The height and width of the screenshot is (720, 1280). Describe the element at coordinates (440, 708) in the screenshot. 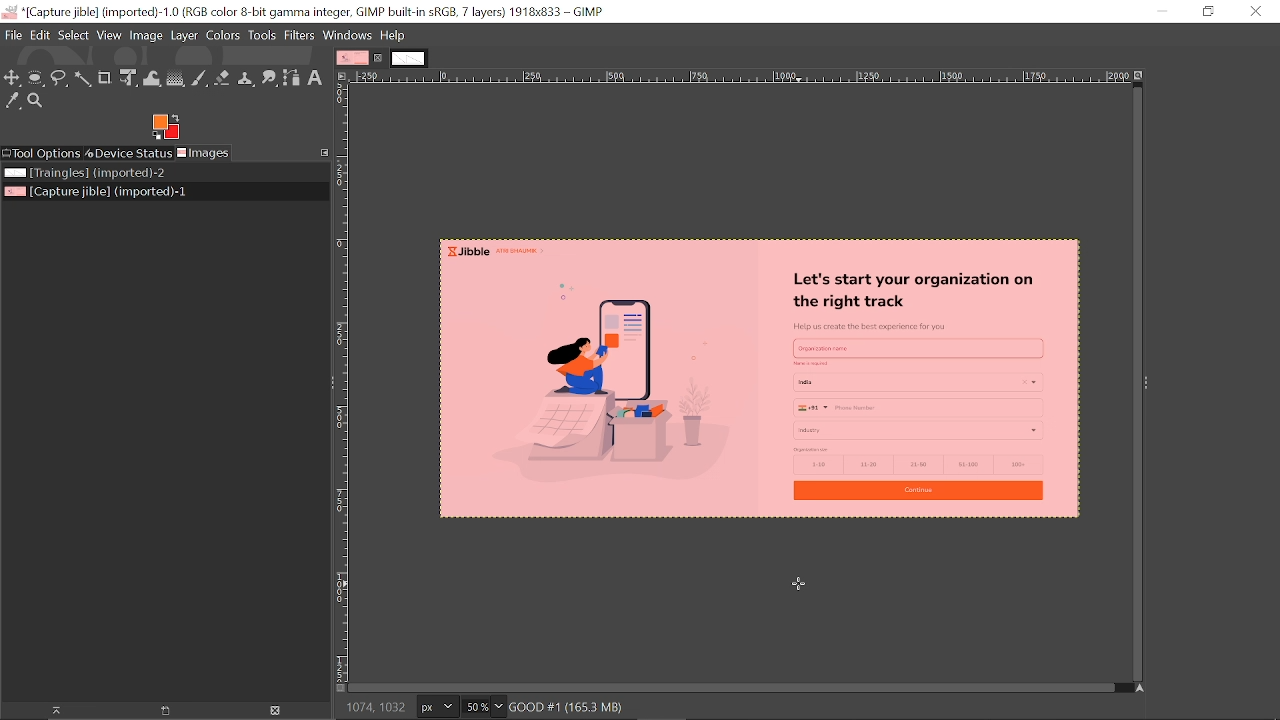

I see `Current image format` at that location.